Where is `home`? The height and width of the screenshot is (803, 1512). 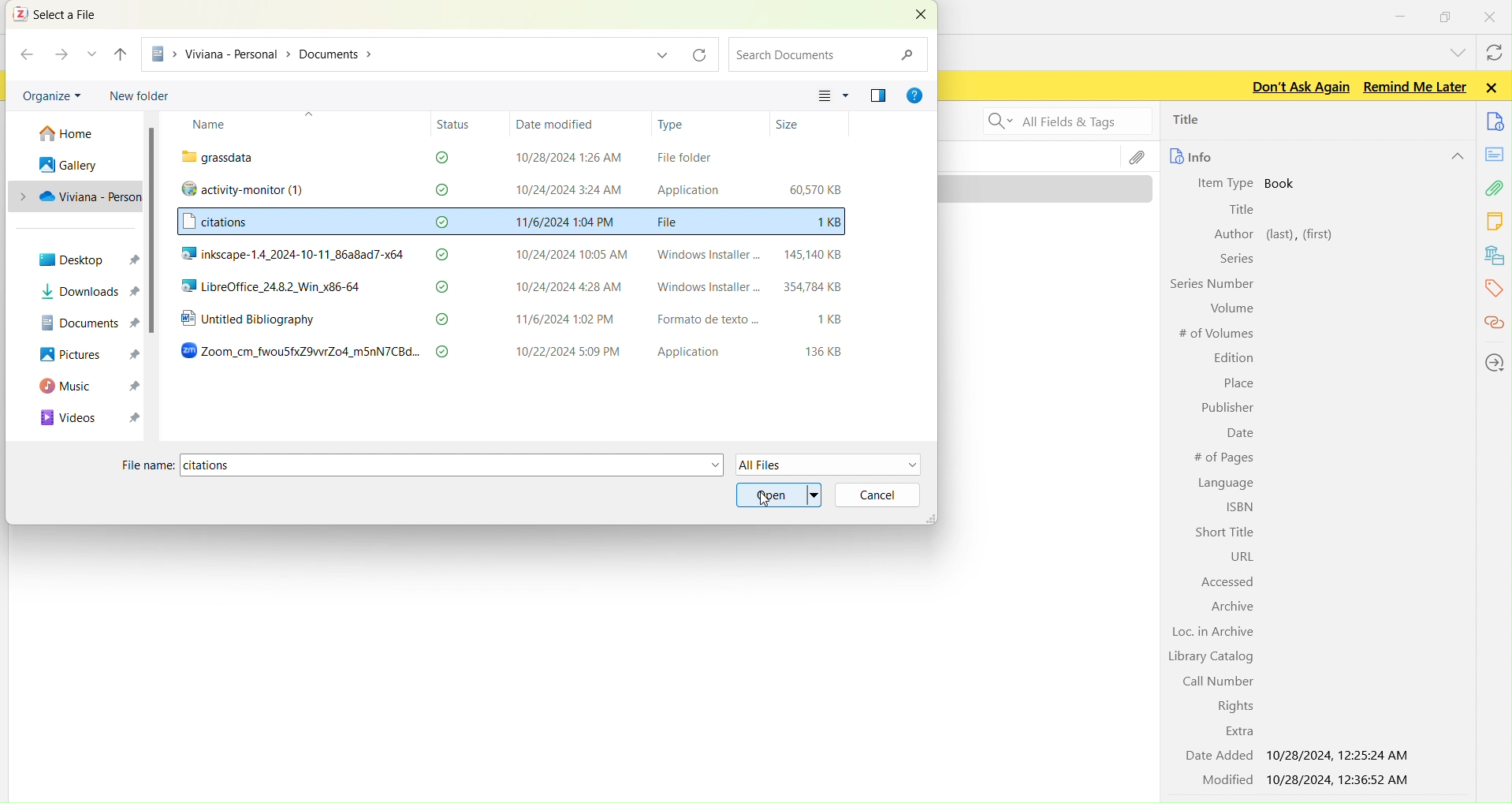 home is located at coordinates (73, 136).